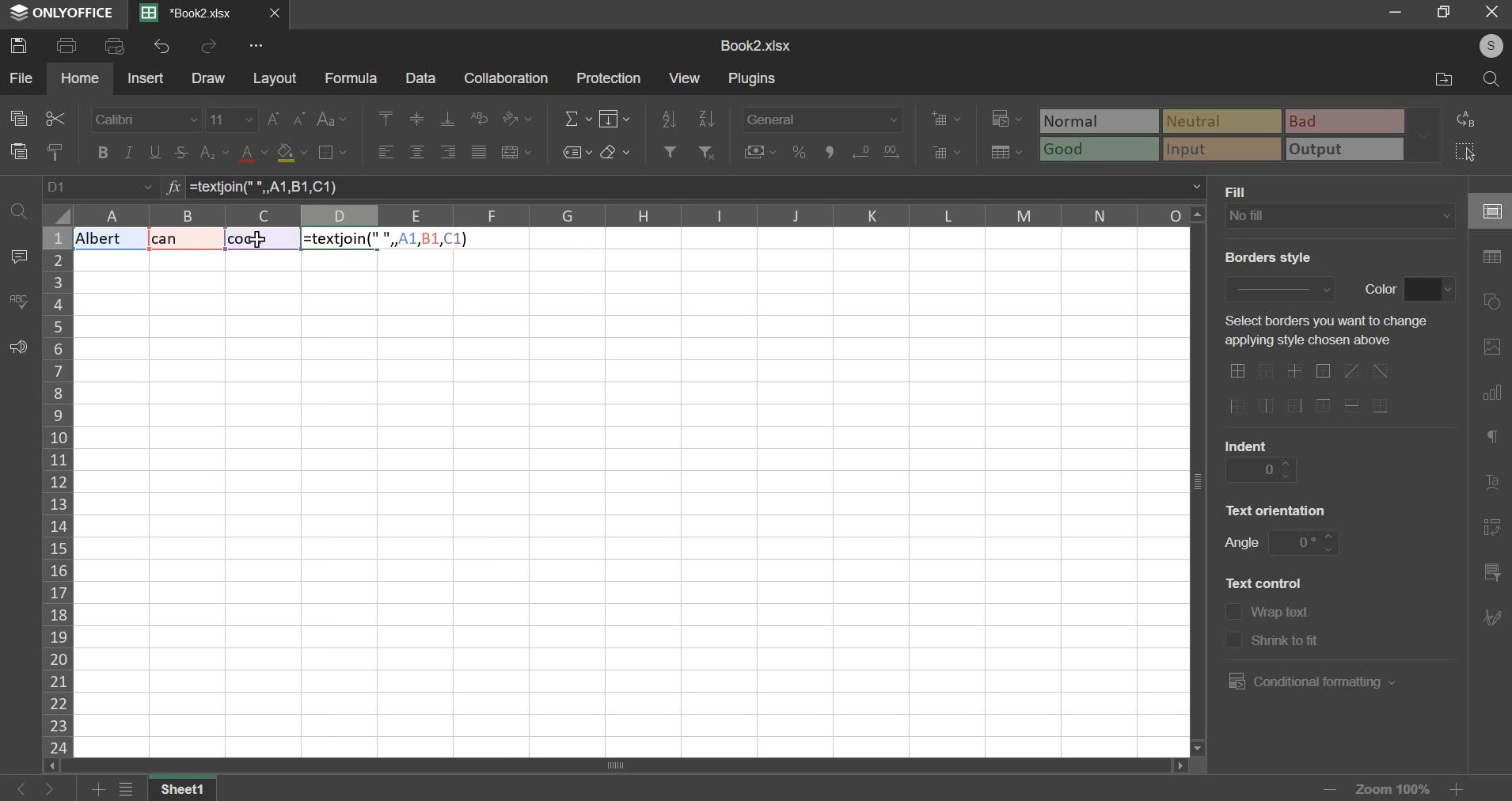 The image size is (1512, 801). I want to click on feedback, so click(18, 348).